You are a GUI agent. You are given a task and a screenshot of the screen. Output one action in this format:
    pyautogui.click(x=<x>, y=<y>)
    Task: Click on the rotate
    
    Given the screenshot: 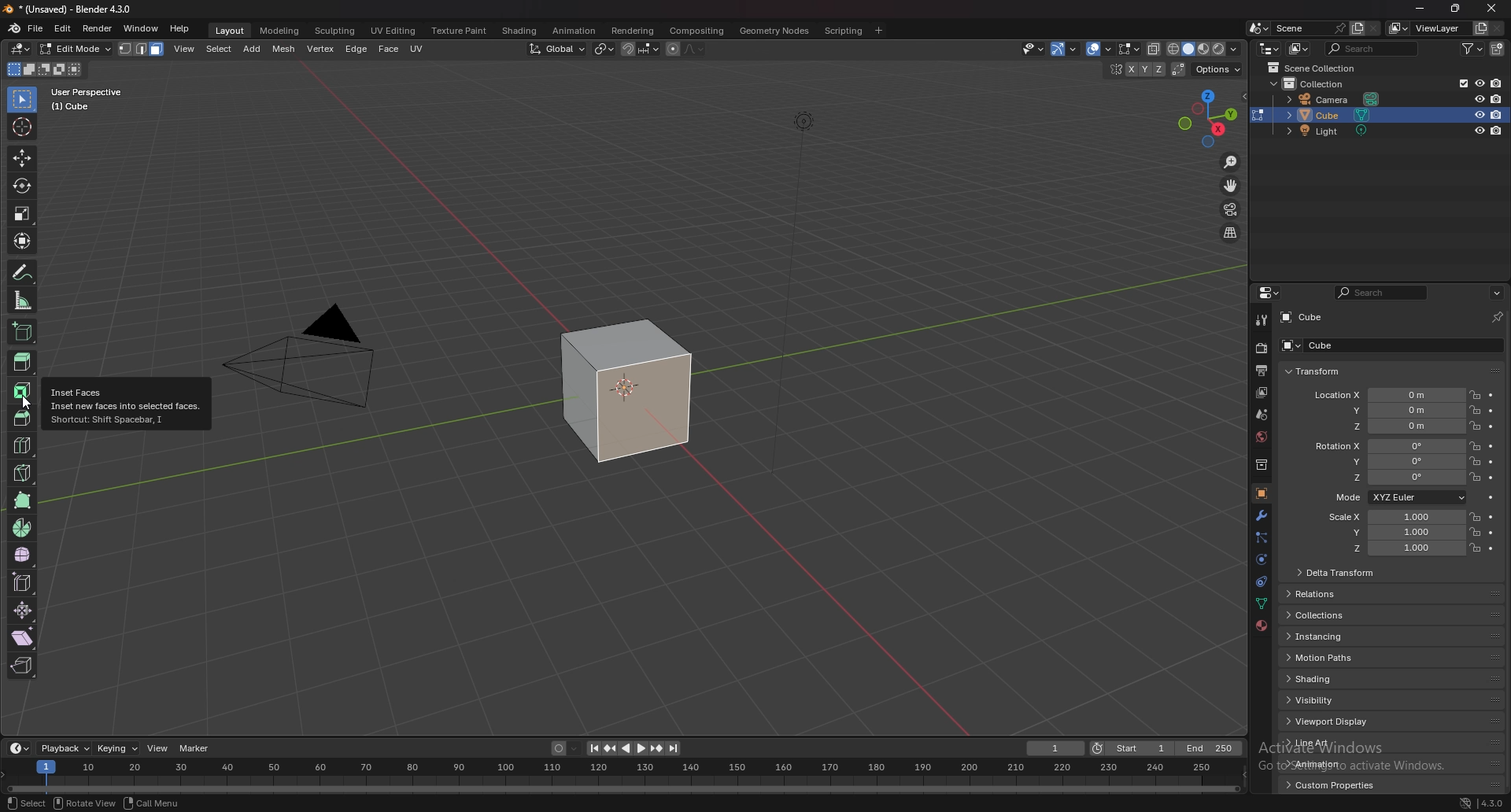 What is the action you would take?
    pyautogui.click(x=22, y=186)
    